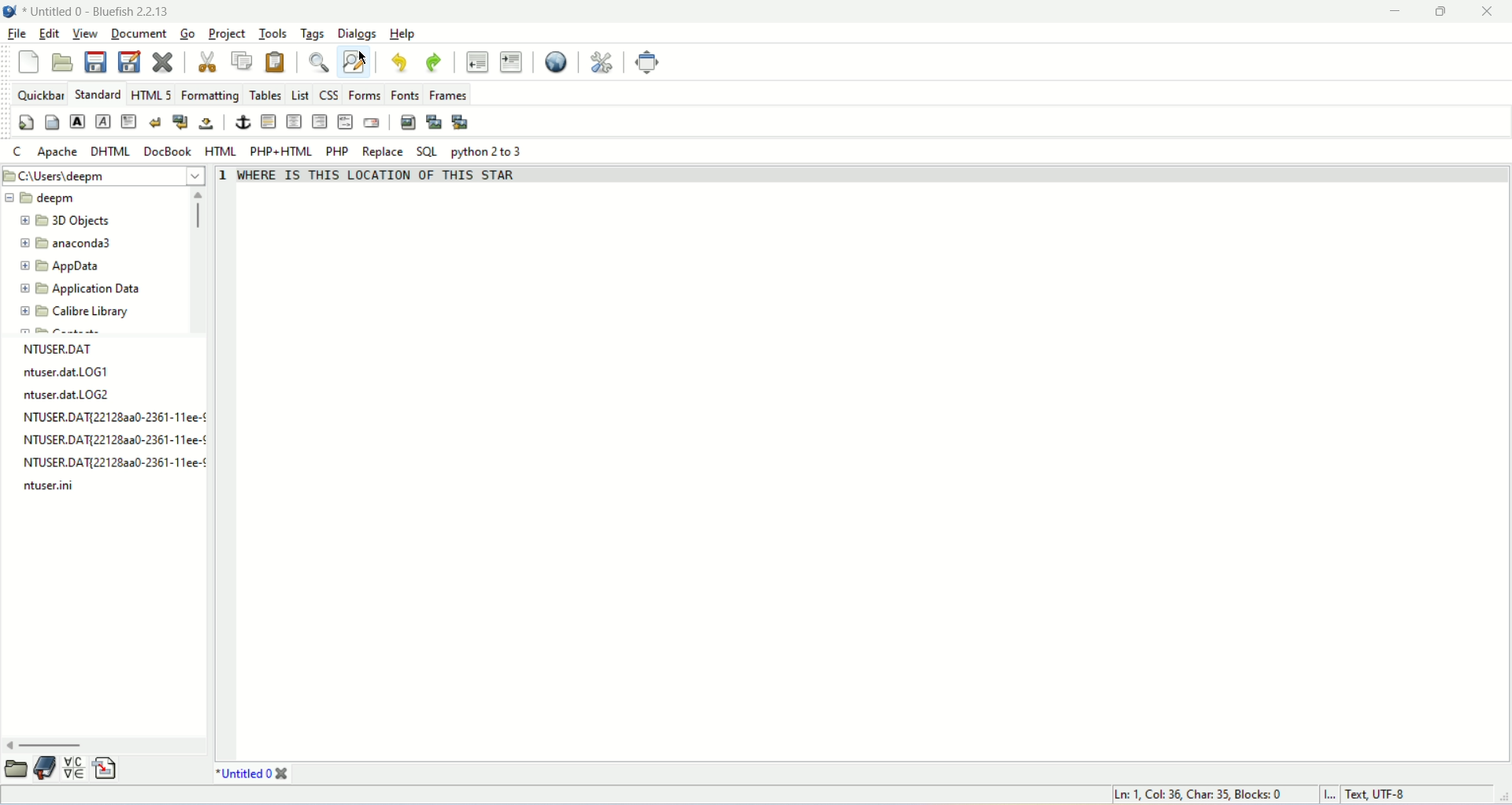 This screenshot has height=805, width=1512. I want to click on maximize, so click(1452, 12).